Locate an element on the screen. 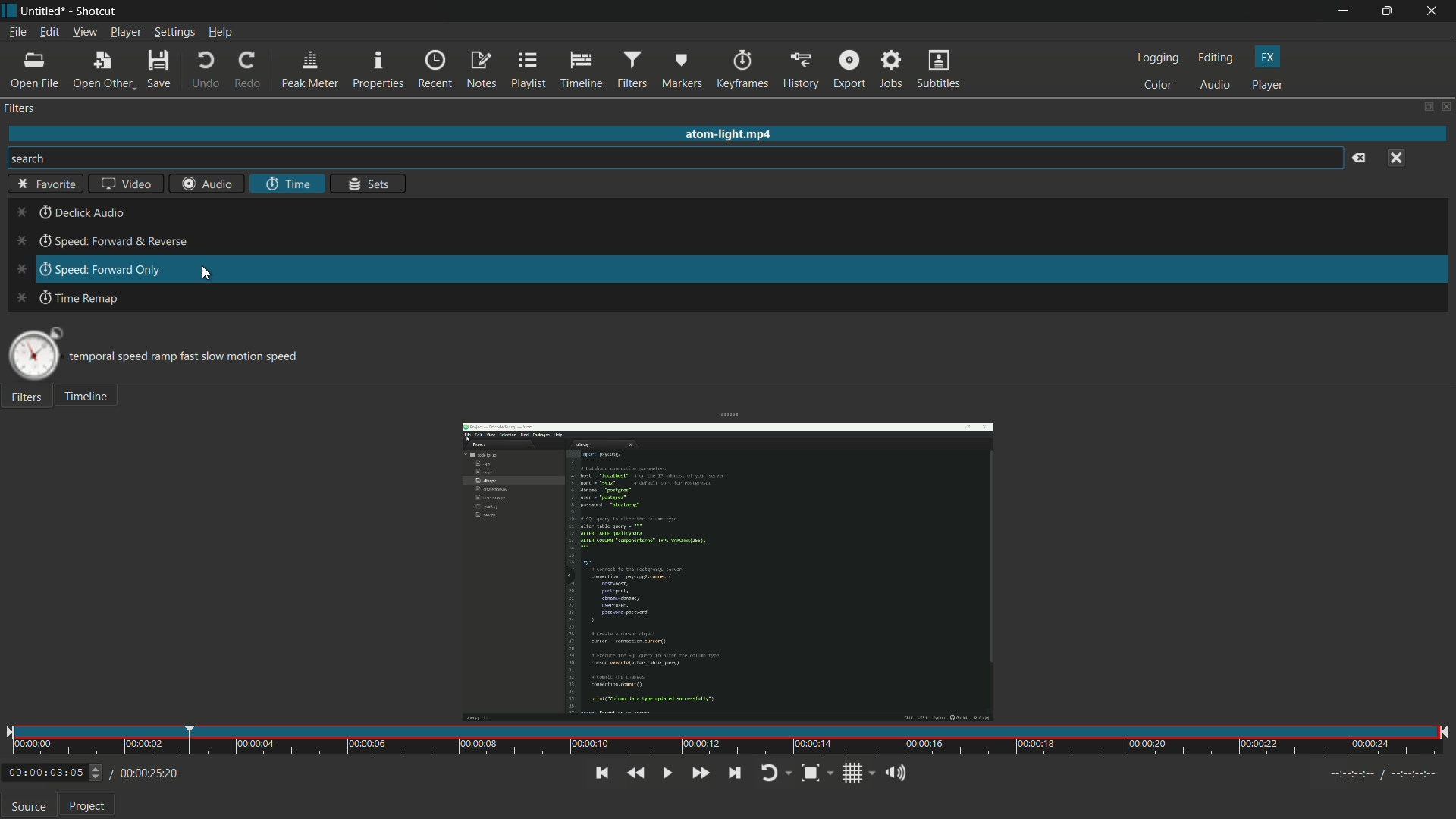 This screenshot has width=1456, height=819. toggle play or pause is located at coordinates (668, 773).